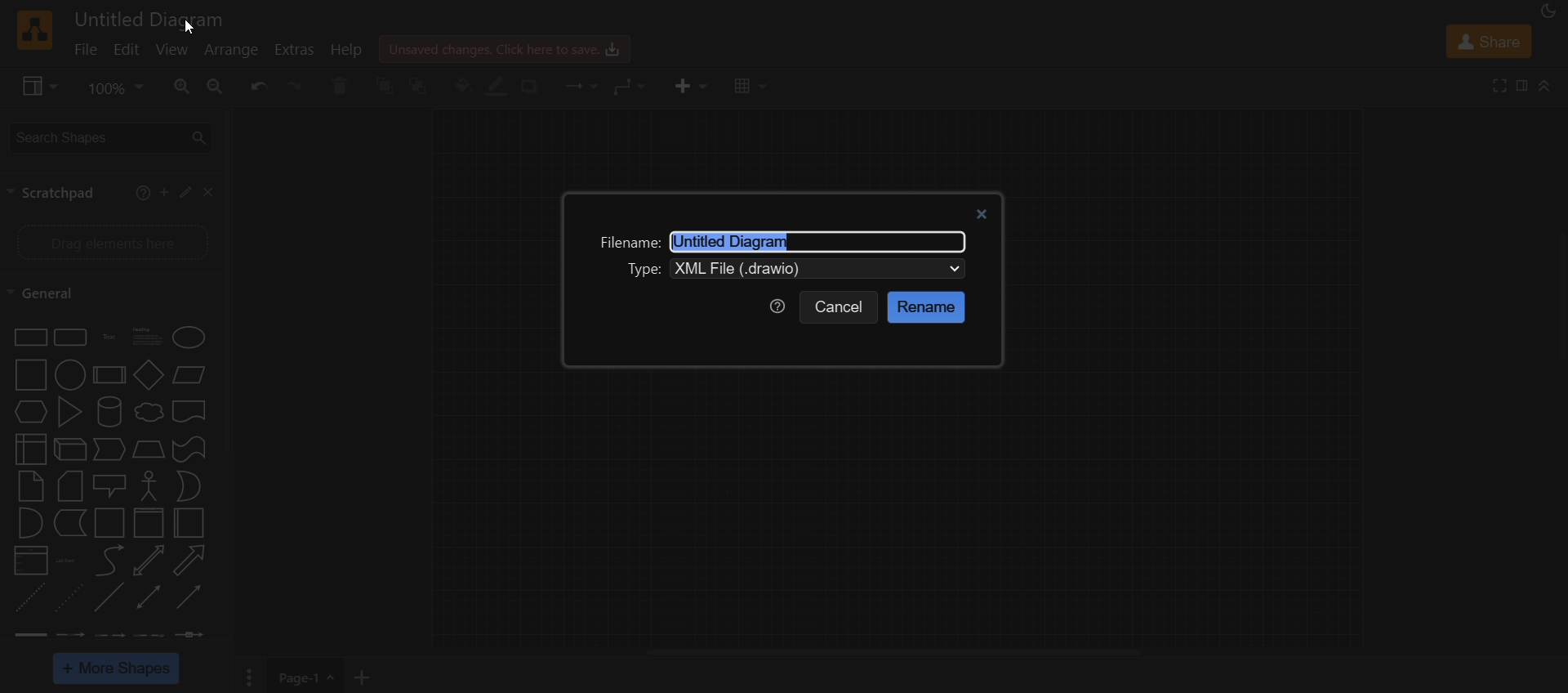 The image size is (1568, 693). I want to click on cursor, so click(186, 30).